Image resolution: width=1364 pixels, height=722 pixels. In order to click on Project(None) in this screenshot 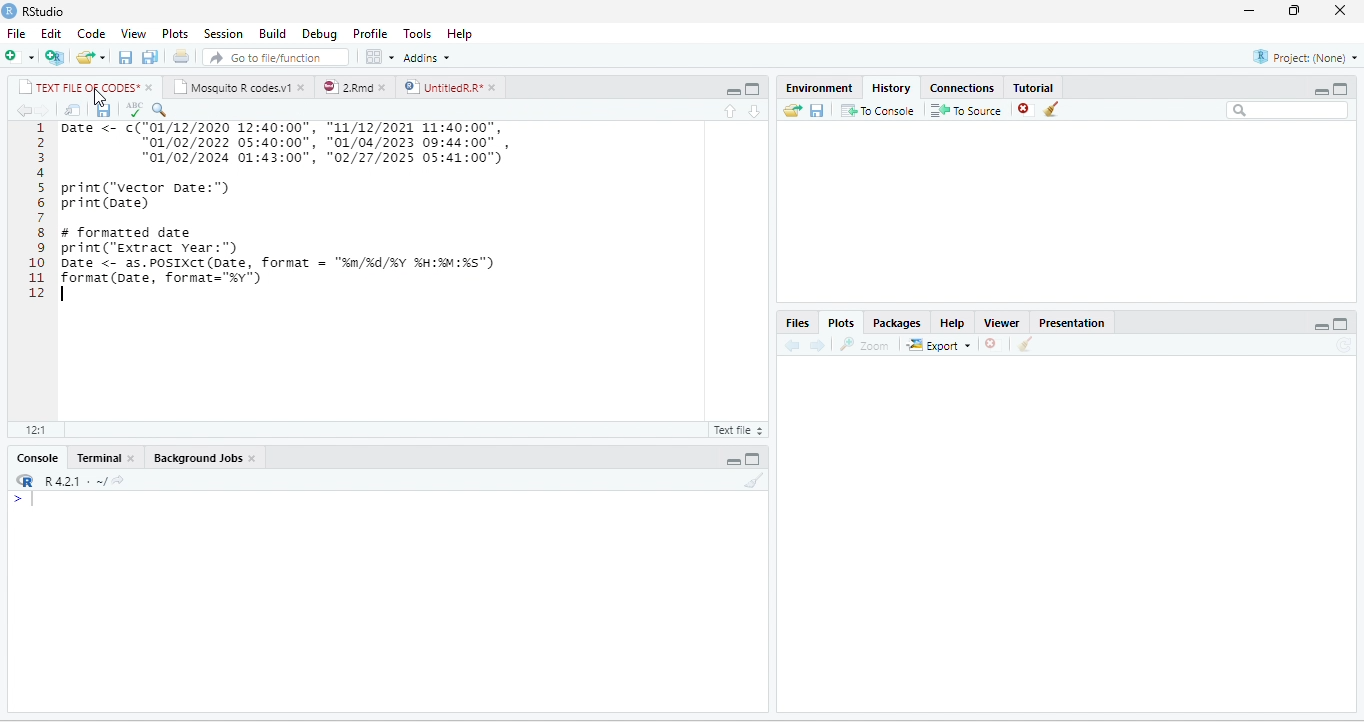, I will do `click(1305, 57)`.